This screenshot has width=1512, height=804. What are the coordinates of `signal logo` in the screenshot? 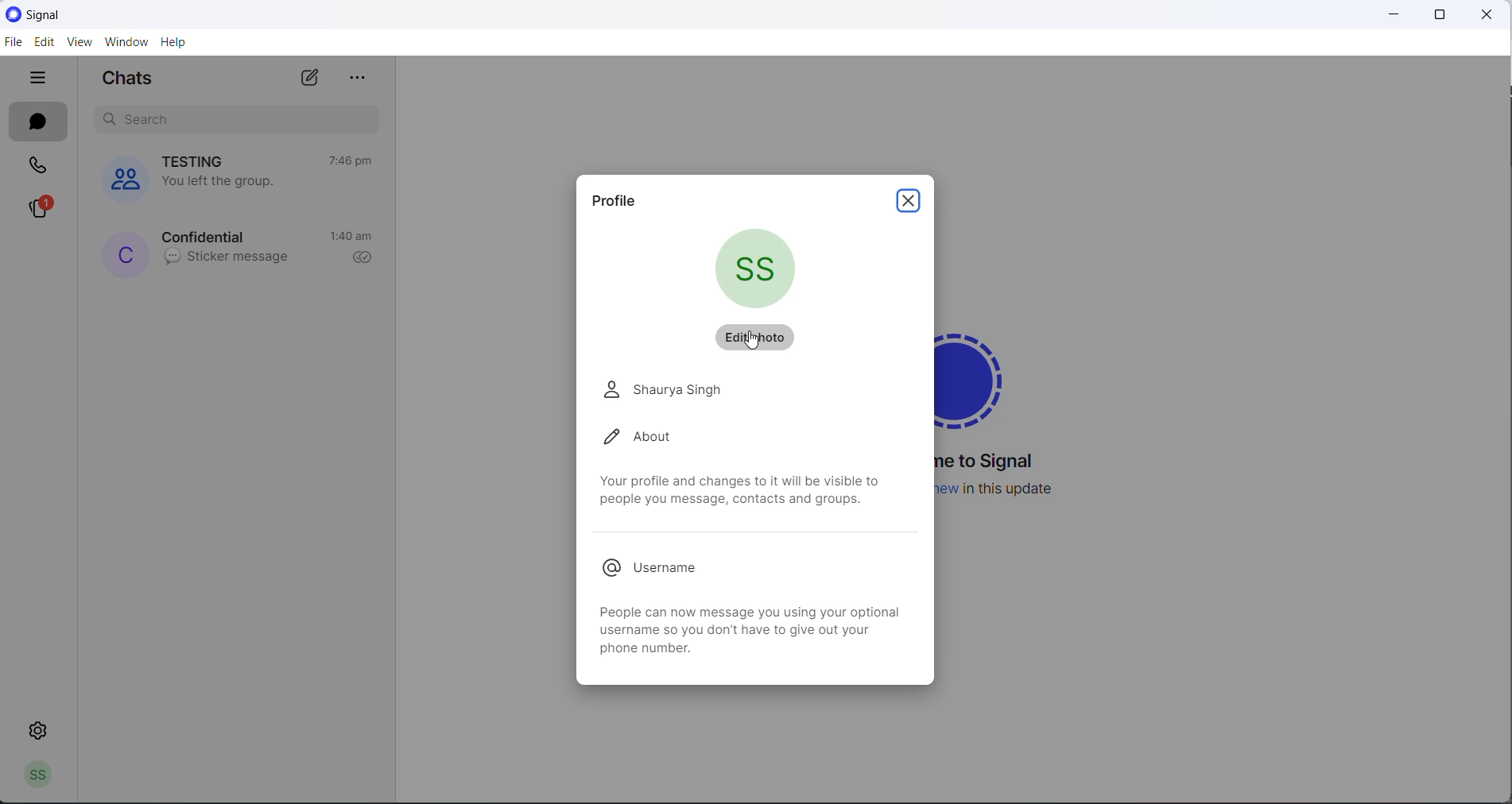 It's located at (983, 375).